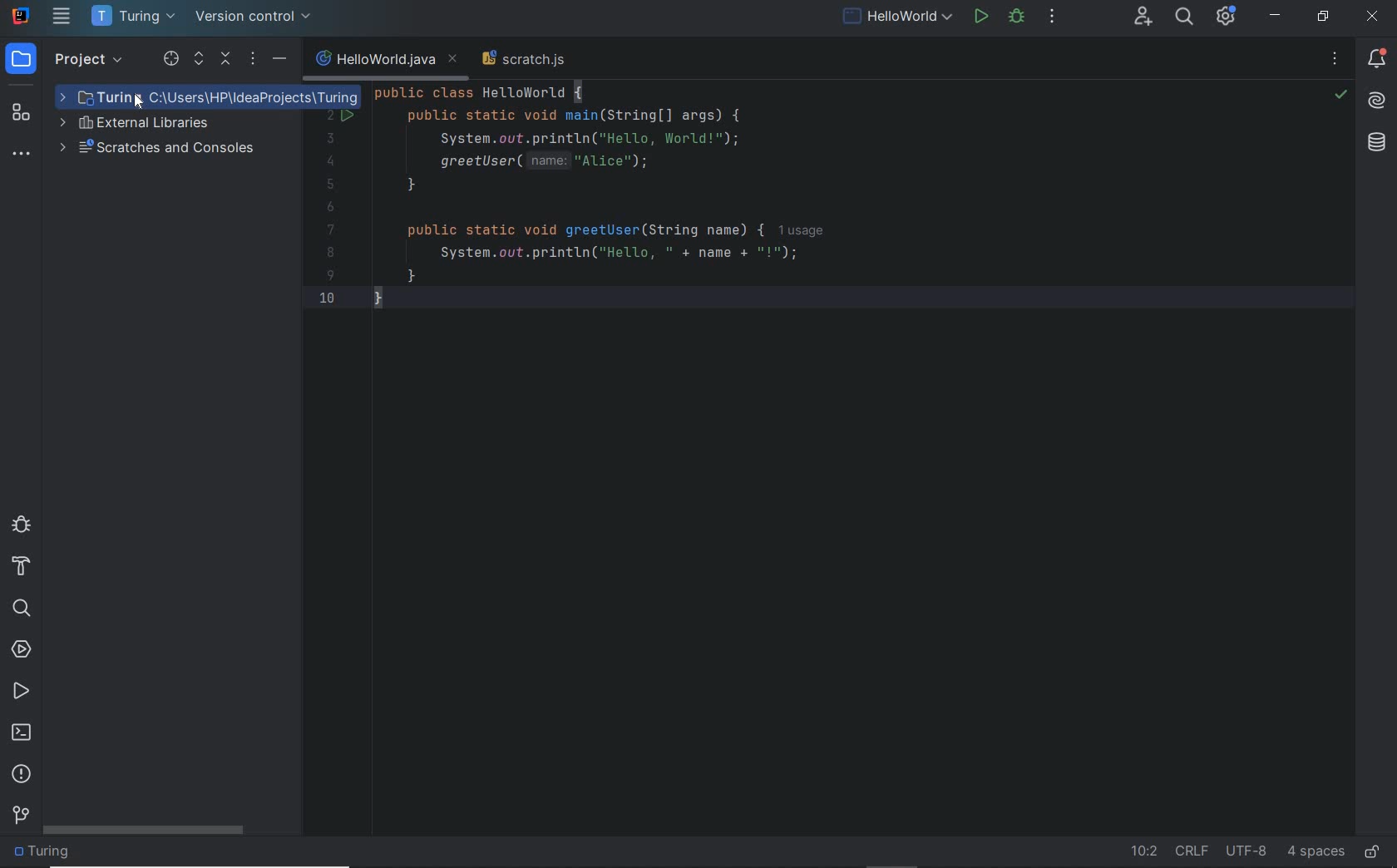 This screenshot has height=868, width=1397. Describe the element at coordinates (19, 816) in the screenshot. I see `version control` at that location.